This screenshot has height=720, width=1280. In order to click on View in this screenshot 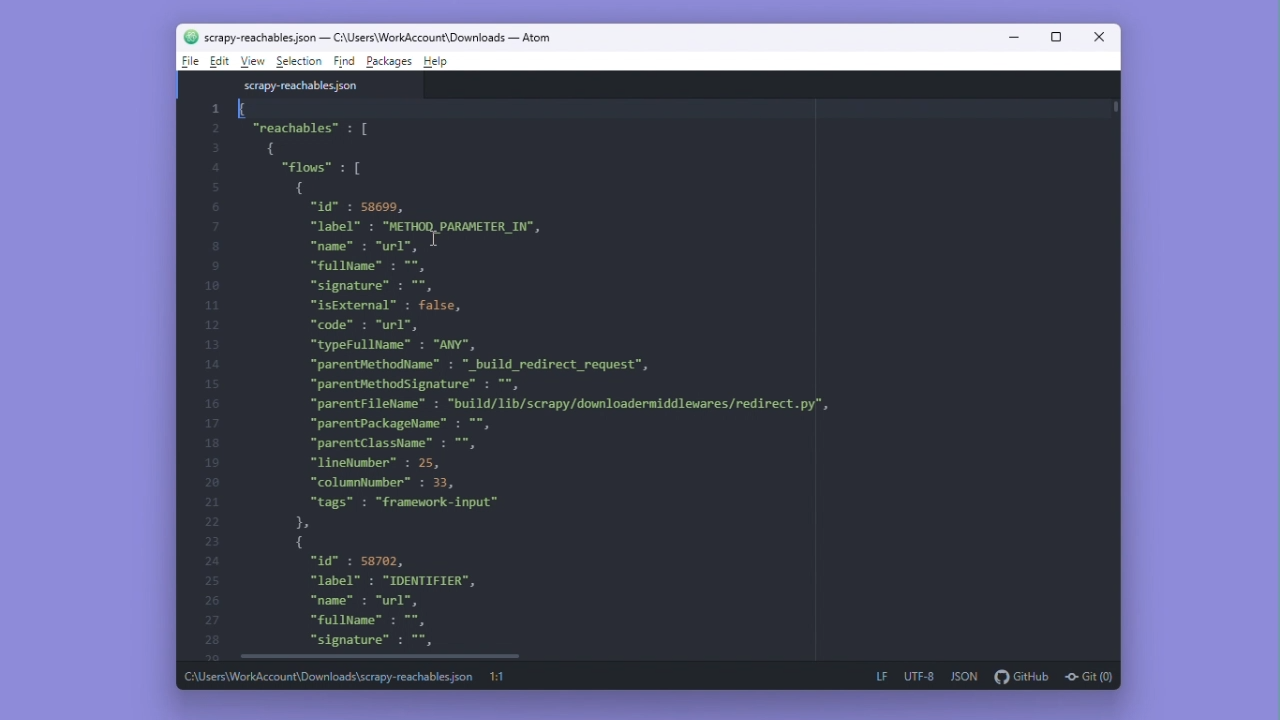, I will do `click(255, 63)`.